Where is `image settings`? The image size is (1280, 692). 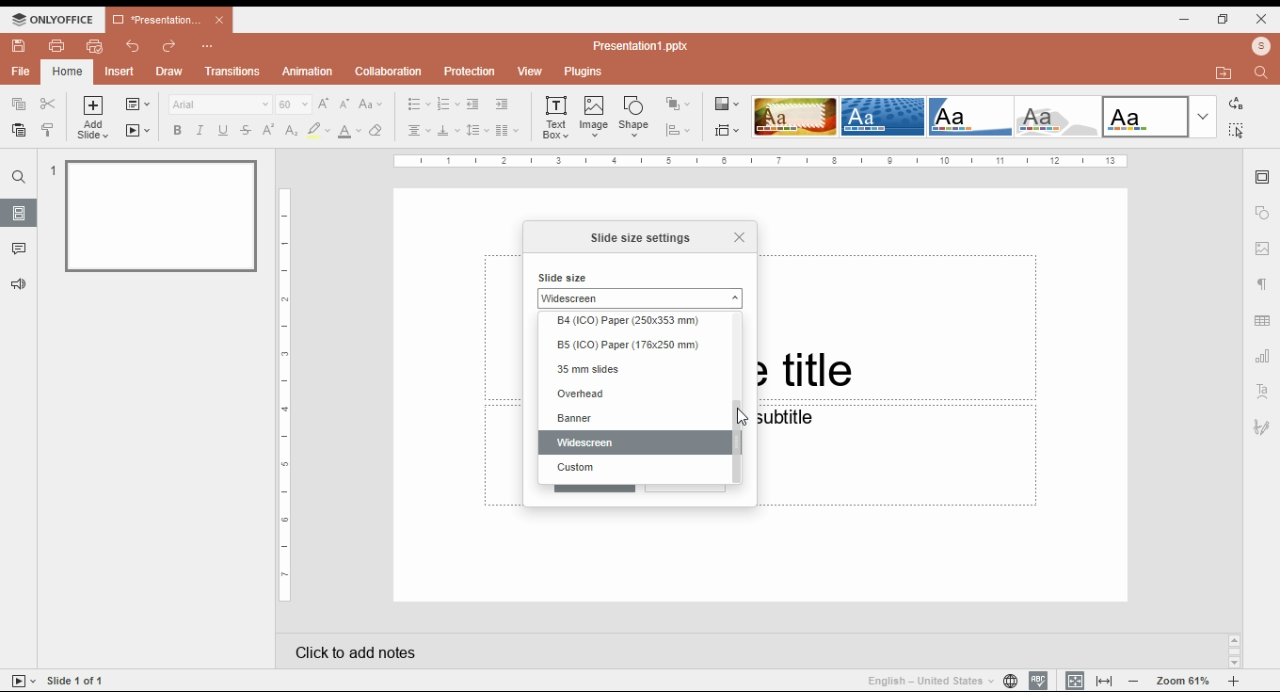
image settings is located at coordinates (1263, 250).